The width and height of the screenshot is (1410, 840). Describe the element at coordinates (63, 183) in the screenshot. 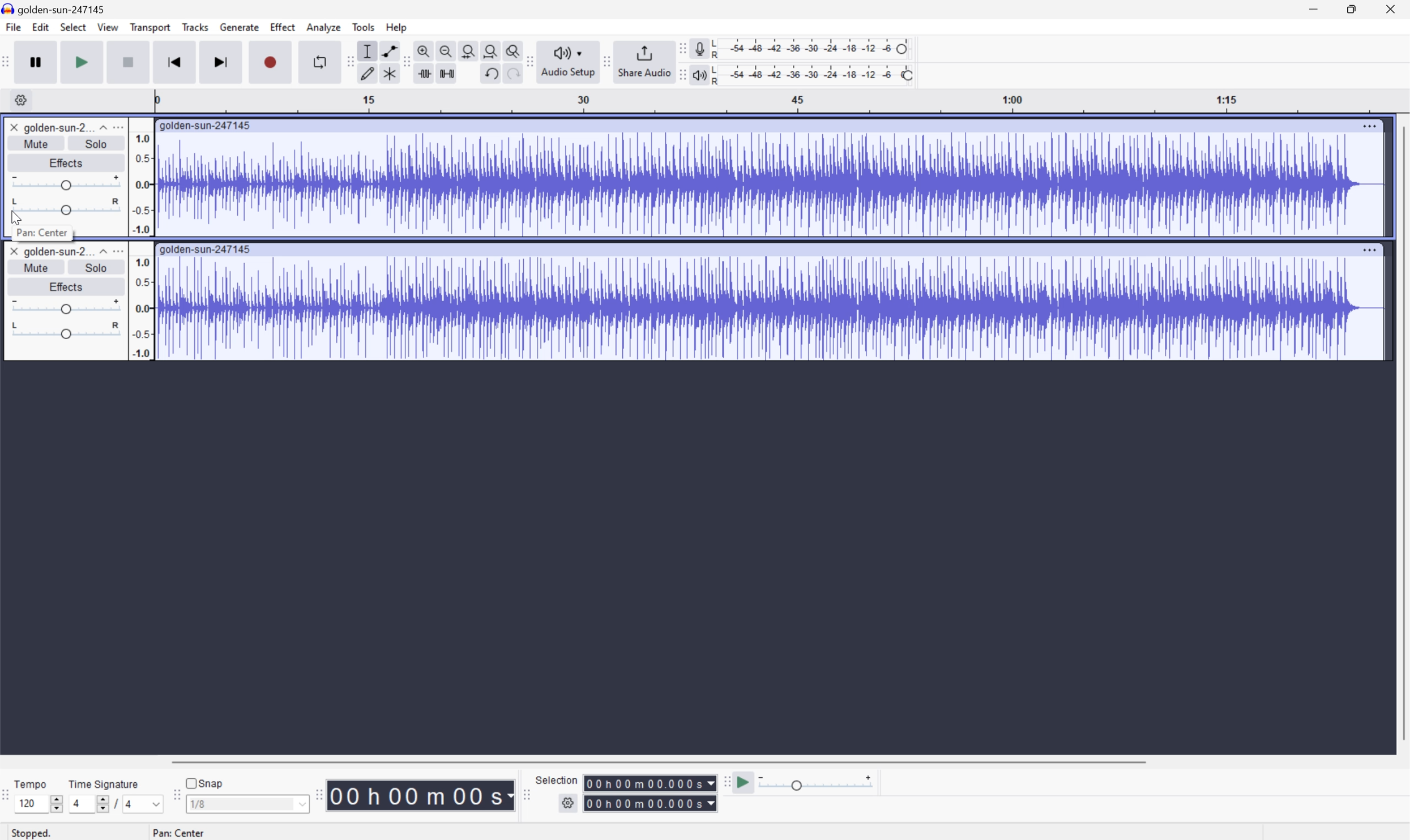

I see `Slider` at that location.